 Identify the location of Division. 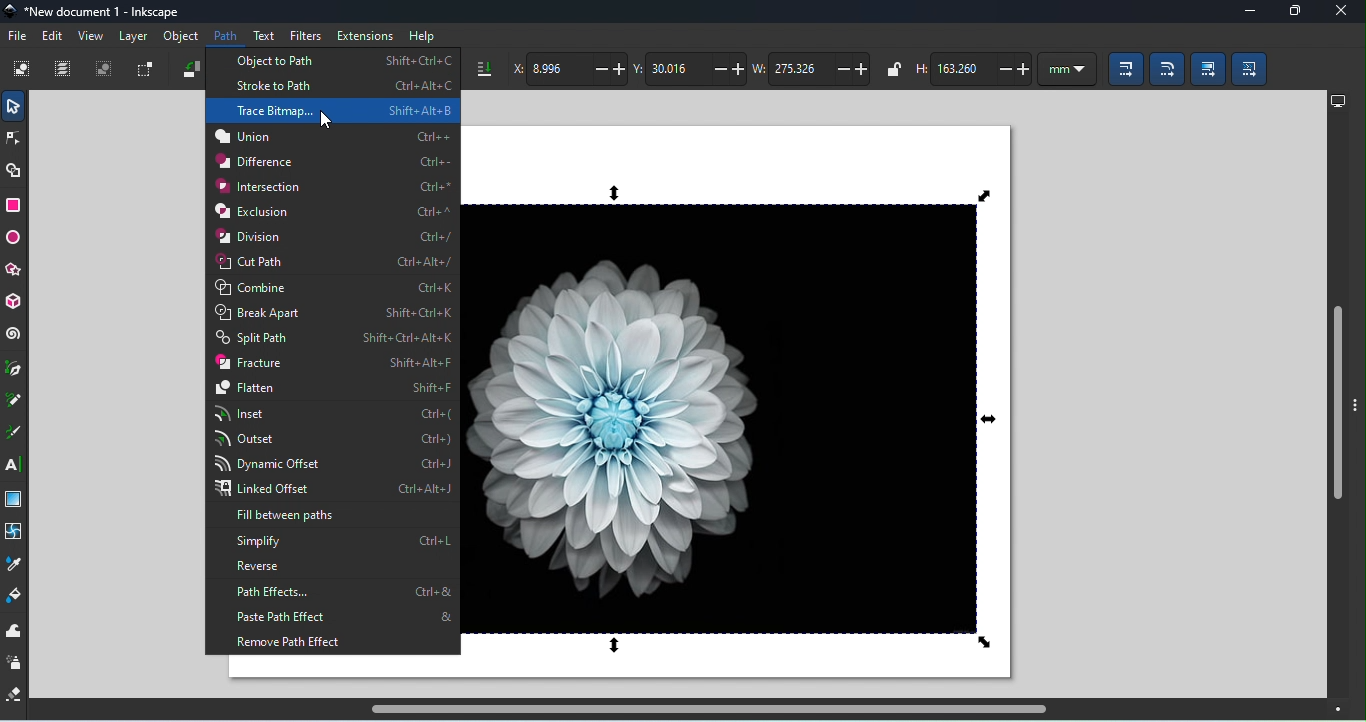
(330, 236).